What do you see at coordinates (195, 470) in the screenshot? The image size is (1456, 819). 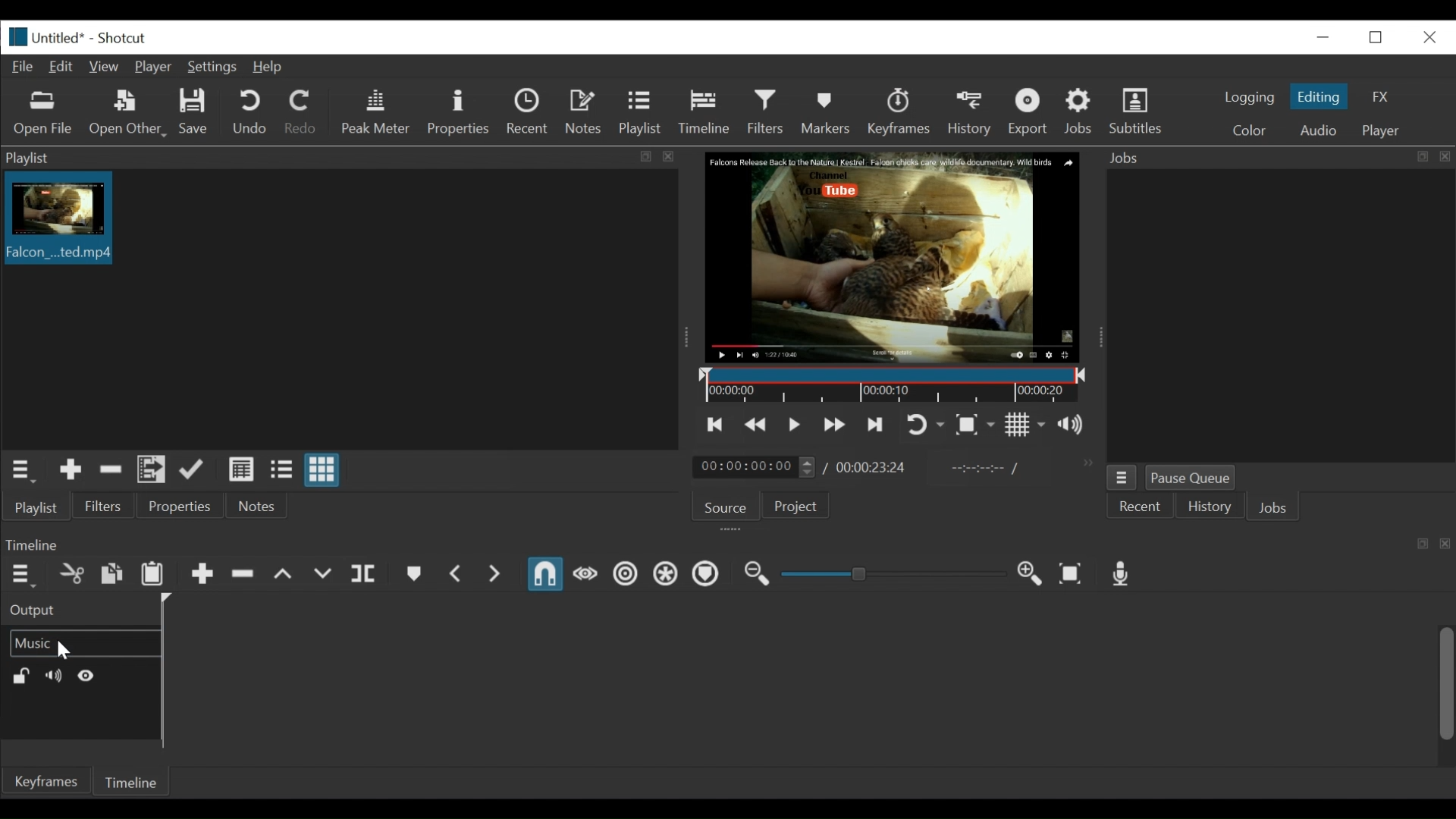 I see `Update` at bounding box center [195, 470].